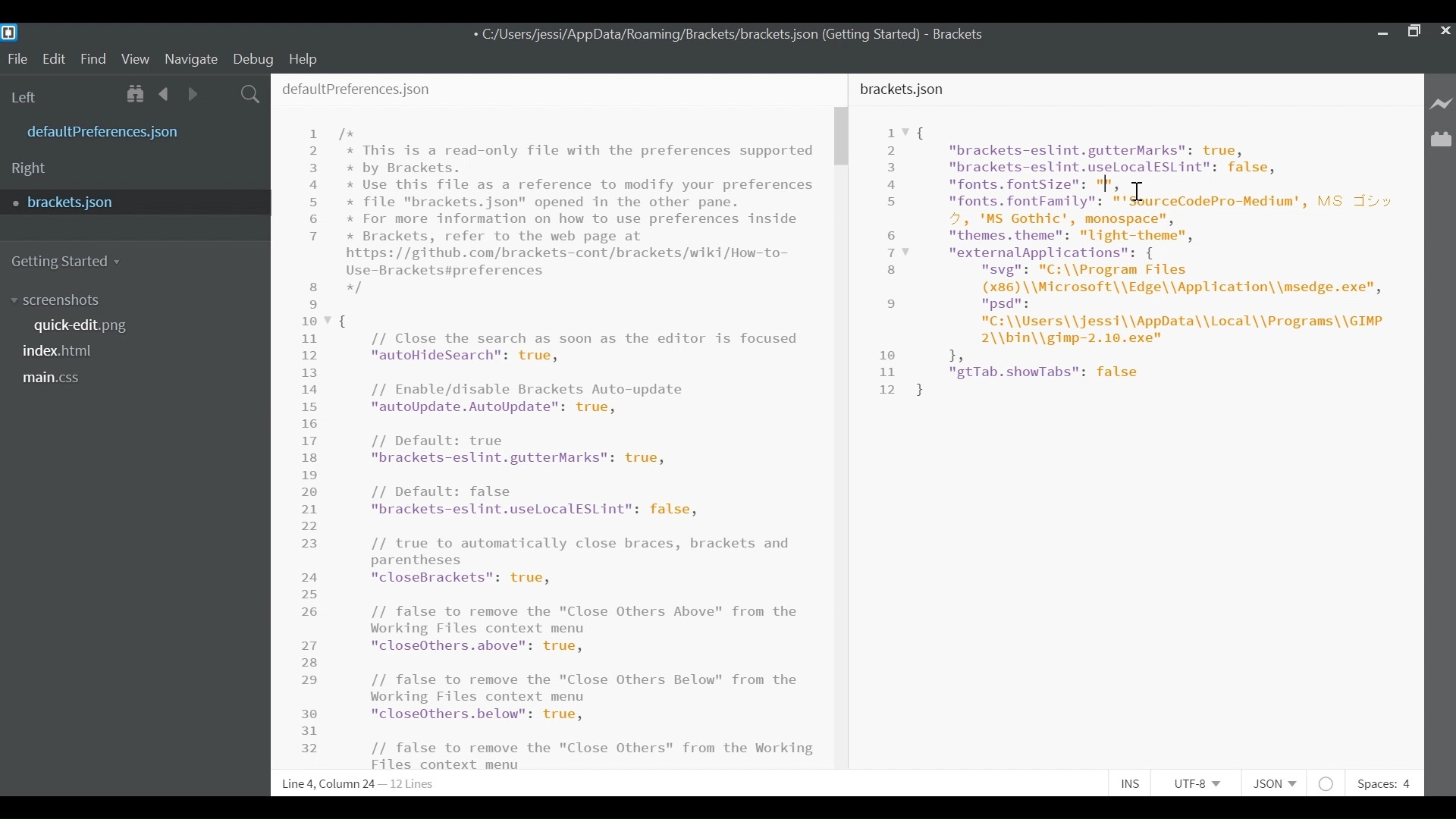  What do you see at coordinates (29, 170) in the screenshot?
I see `Right` at bounding box center [29, 170].